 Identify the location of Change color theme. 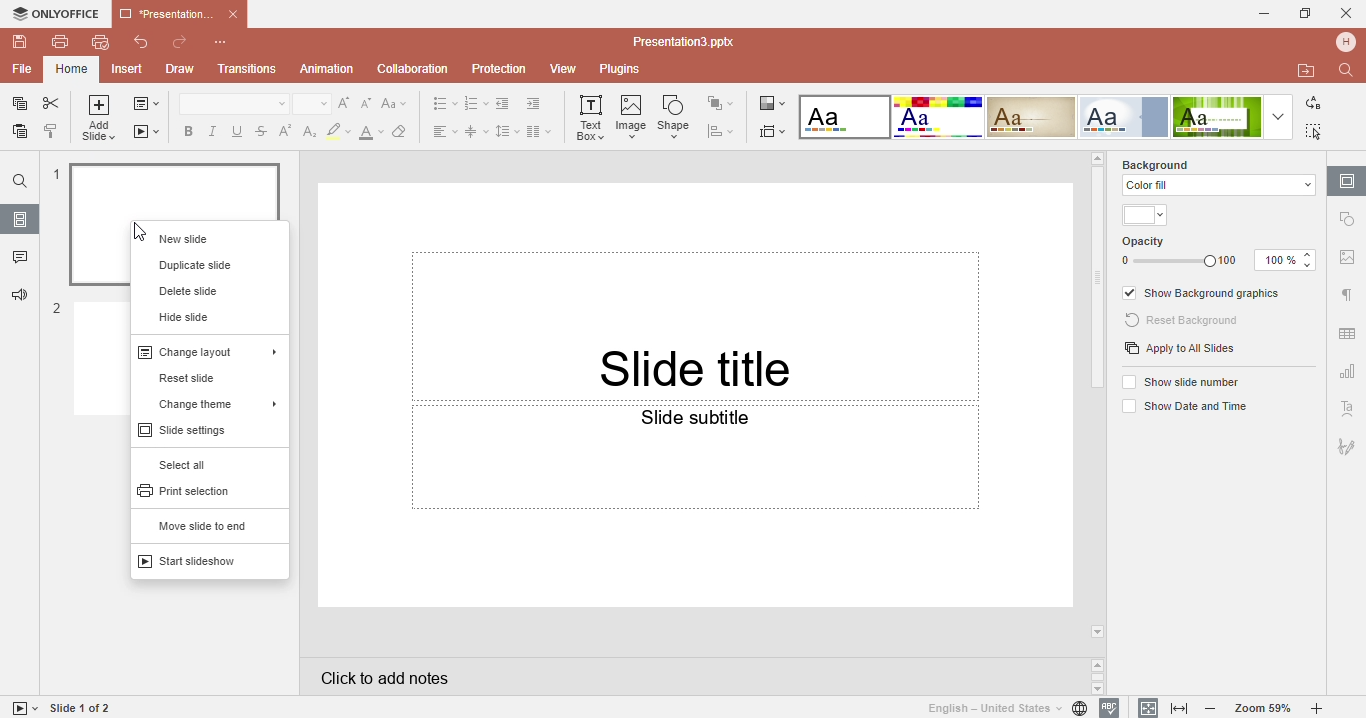
(771, 102).